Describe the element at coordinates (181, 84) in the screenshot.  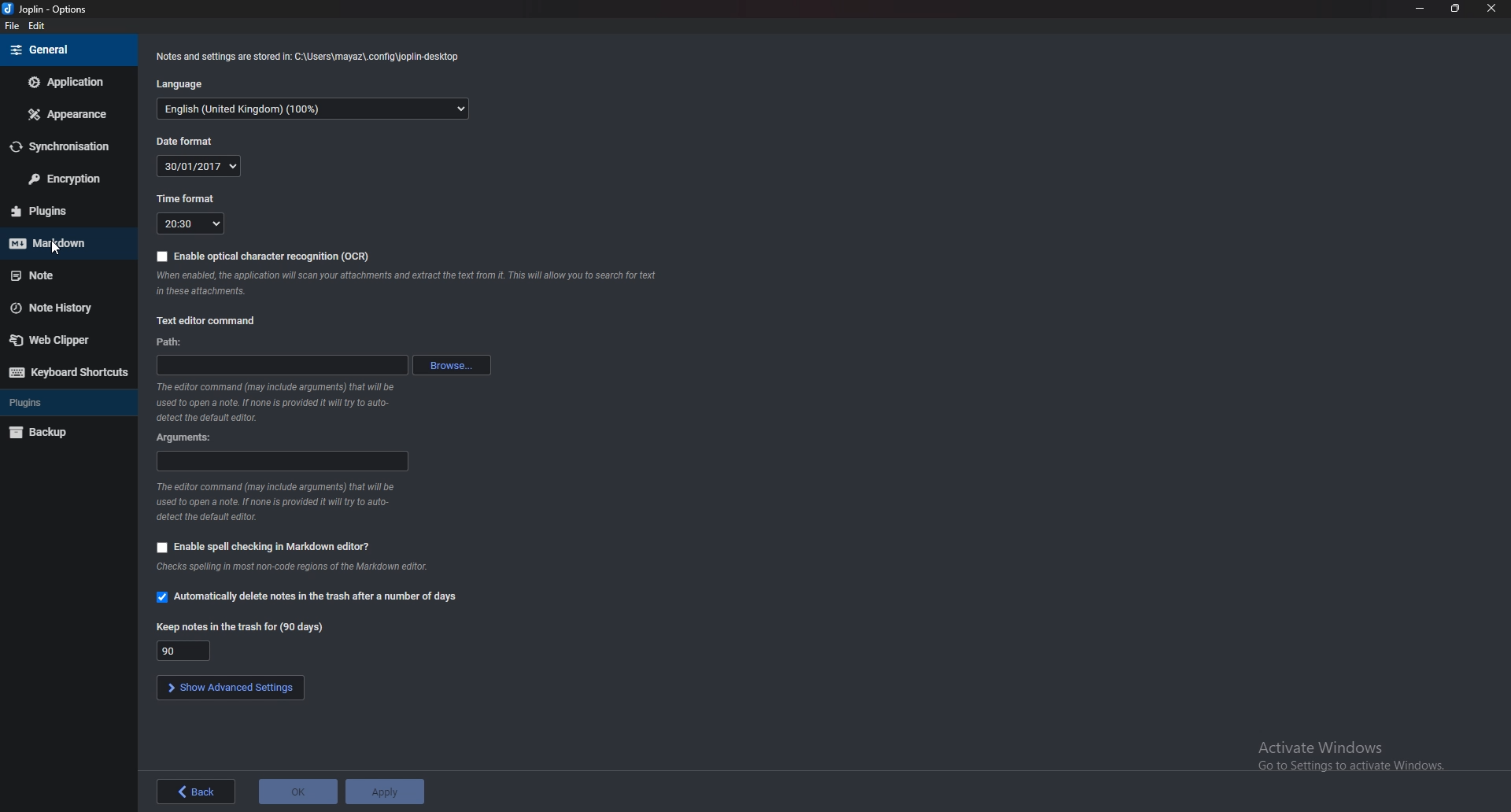
I see `language` at that location.